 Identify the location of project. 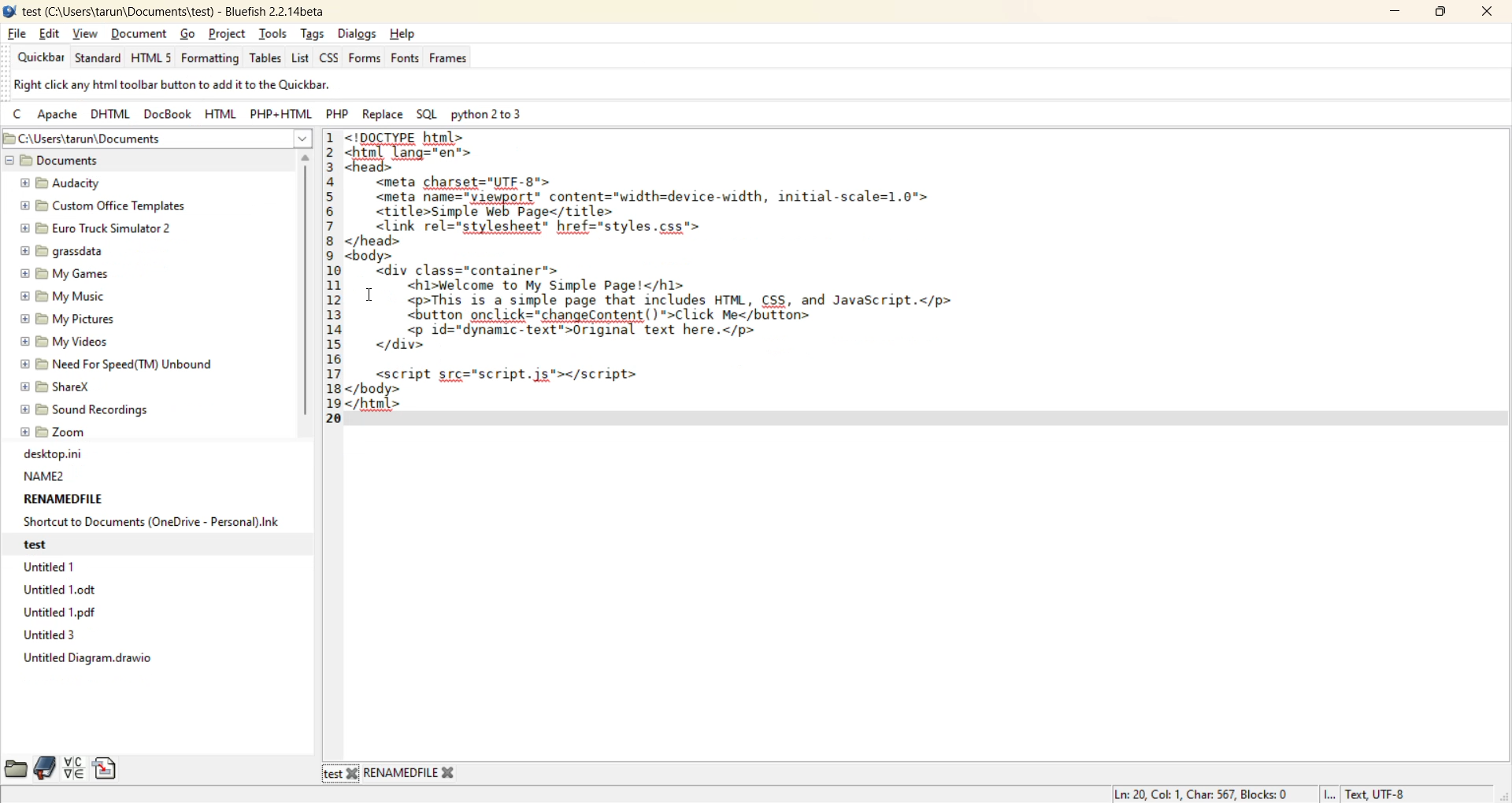
(231, 33).